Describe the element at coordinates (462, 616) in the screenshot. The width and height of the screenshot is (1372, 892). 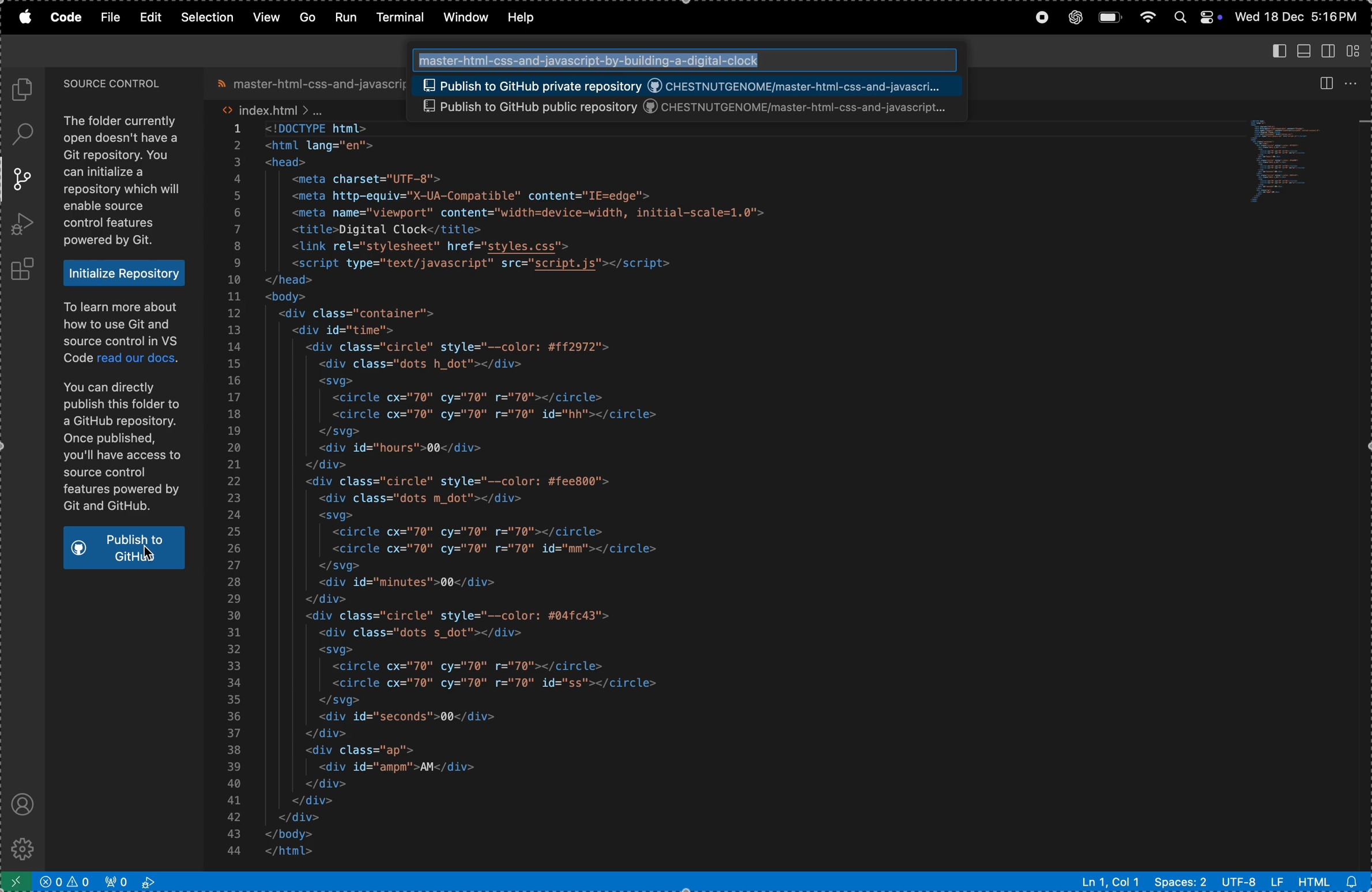
I see `<div class="circle" style="--color: #04fc43">` at that location.